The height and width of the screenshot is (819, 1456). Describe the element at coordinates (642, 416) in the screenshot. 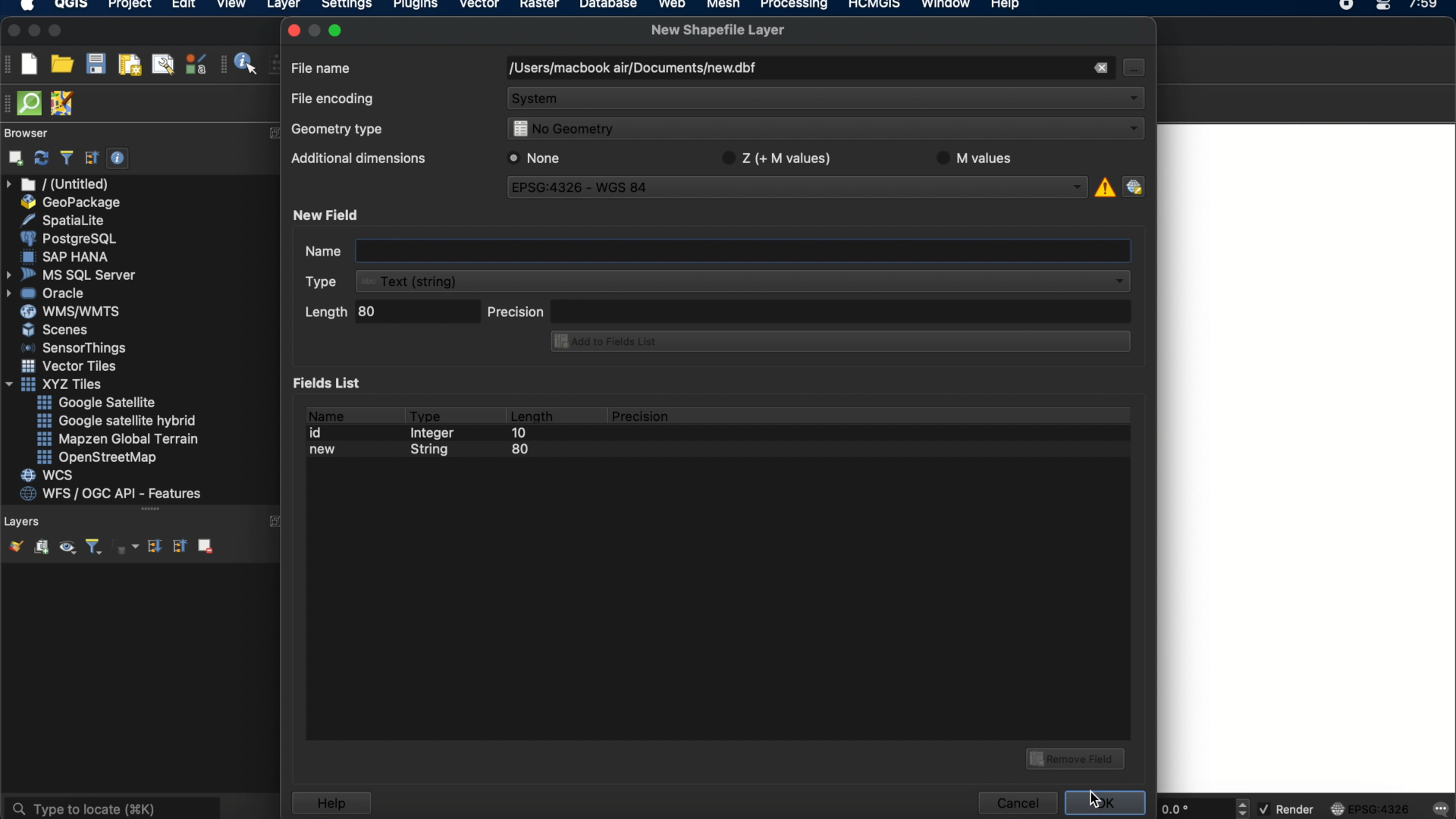

I see `precision` at that location.